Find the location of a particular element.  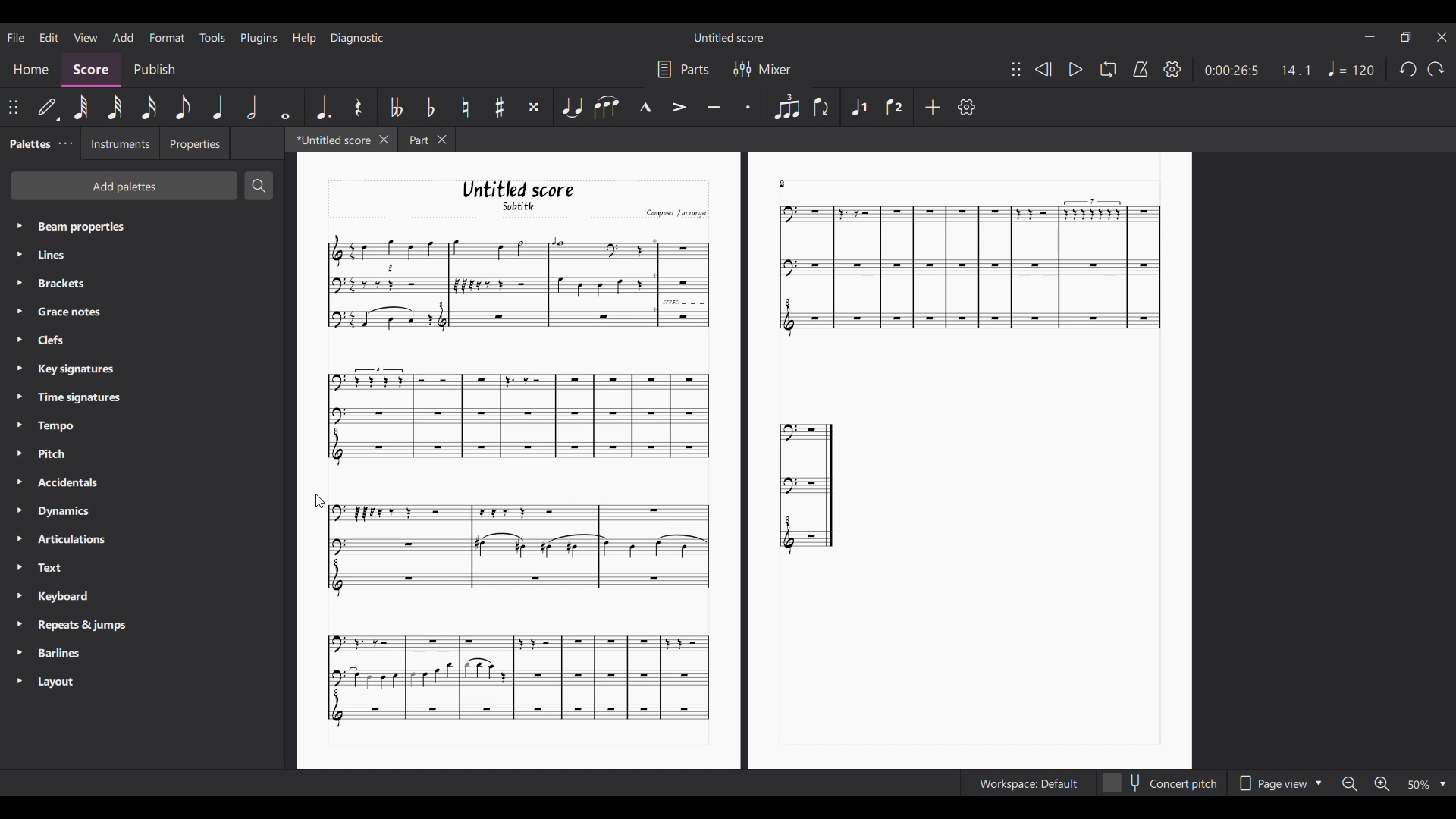

Redo is located at coordinates (1436, 69).